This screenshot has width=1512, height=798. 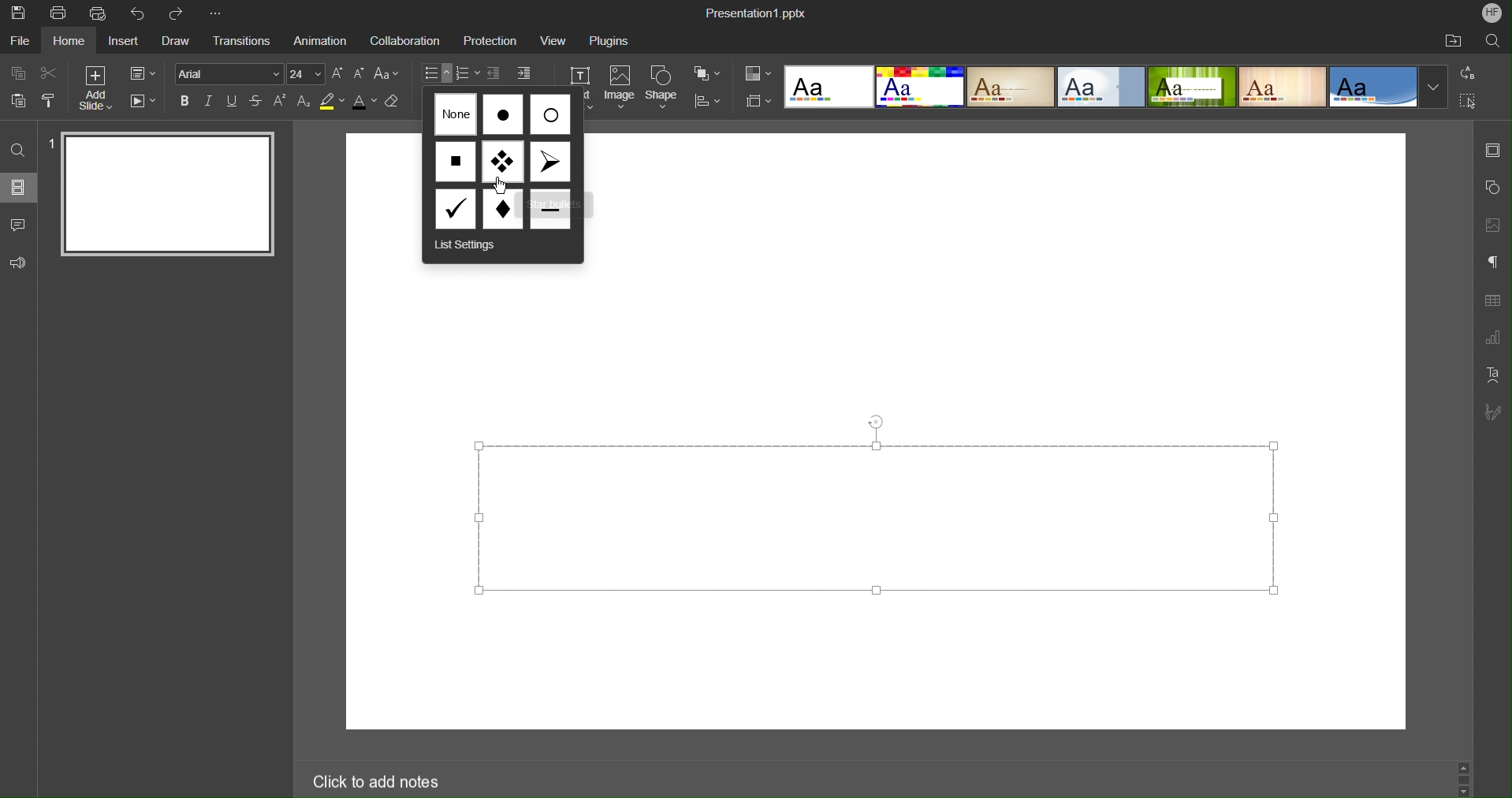 I want to click on Image Settings, so click(x=1492, y=226).